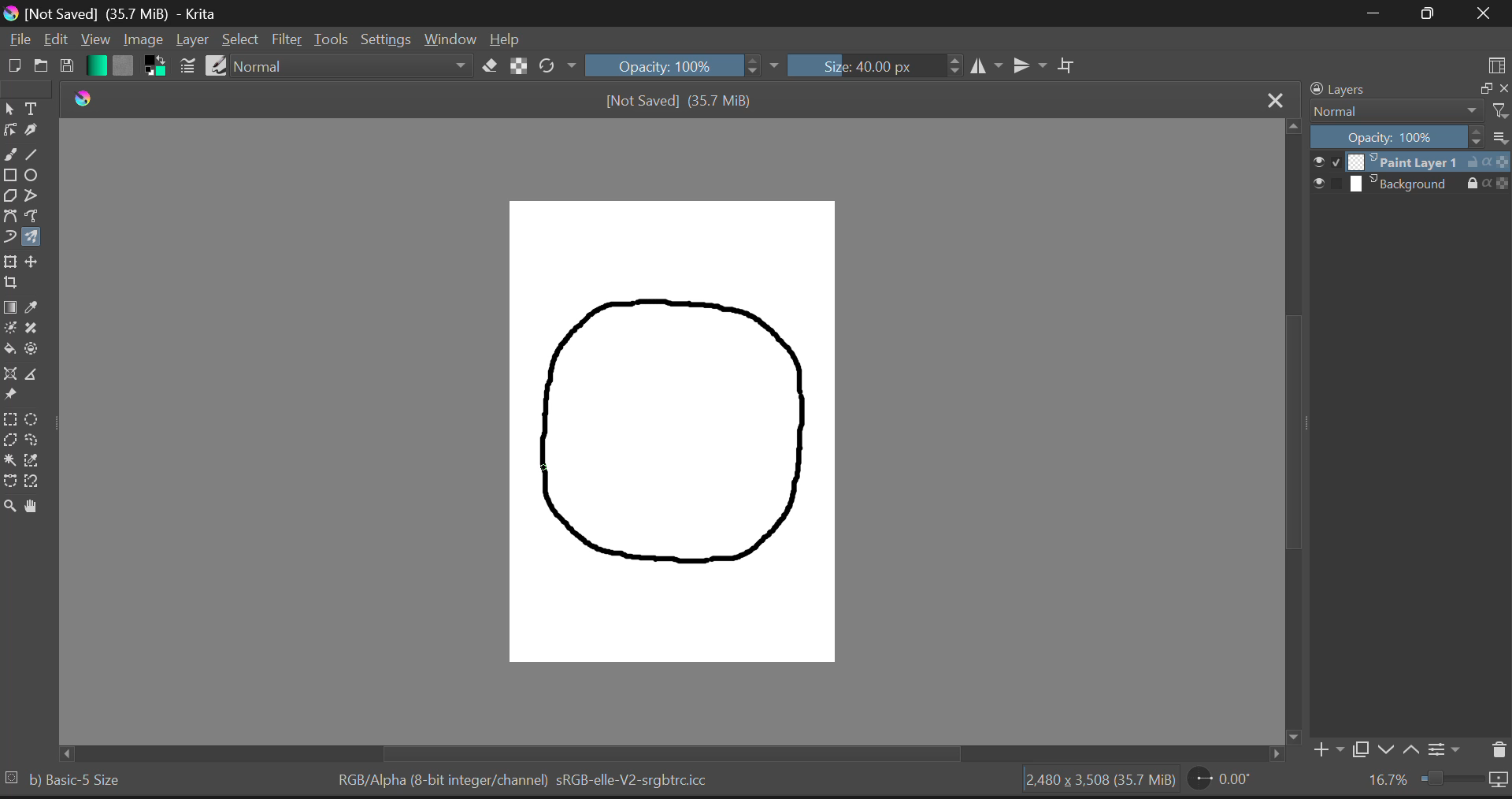 The image size is (1512, 799). I want to click on Settings, so click(1447, 753).